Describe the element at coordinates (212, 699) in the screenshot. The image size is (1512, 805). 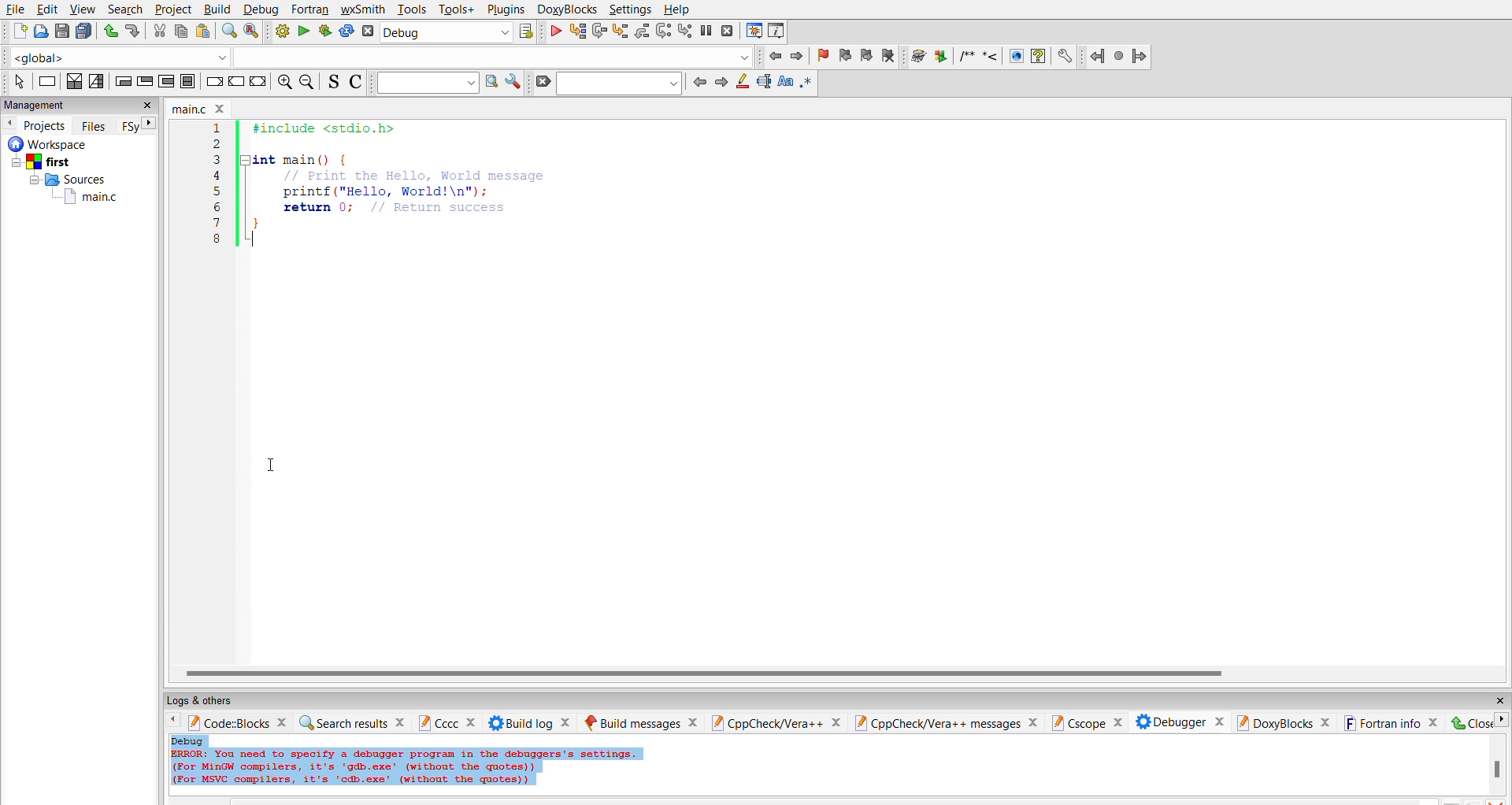
I see `logs and others` at that location.